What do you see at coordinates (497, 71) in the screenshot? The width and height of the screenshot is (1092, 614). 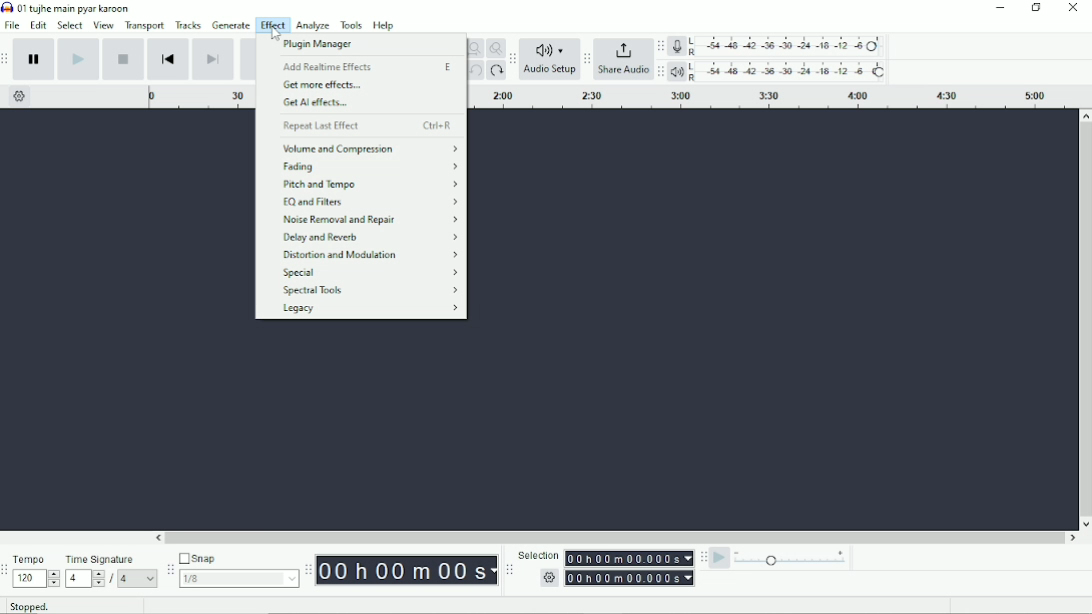 I see `Redo` at bounding box center [497, 71].